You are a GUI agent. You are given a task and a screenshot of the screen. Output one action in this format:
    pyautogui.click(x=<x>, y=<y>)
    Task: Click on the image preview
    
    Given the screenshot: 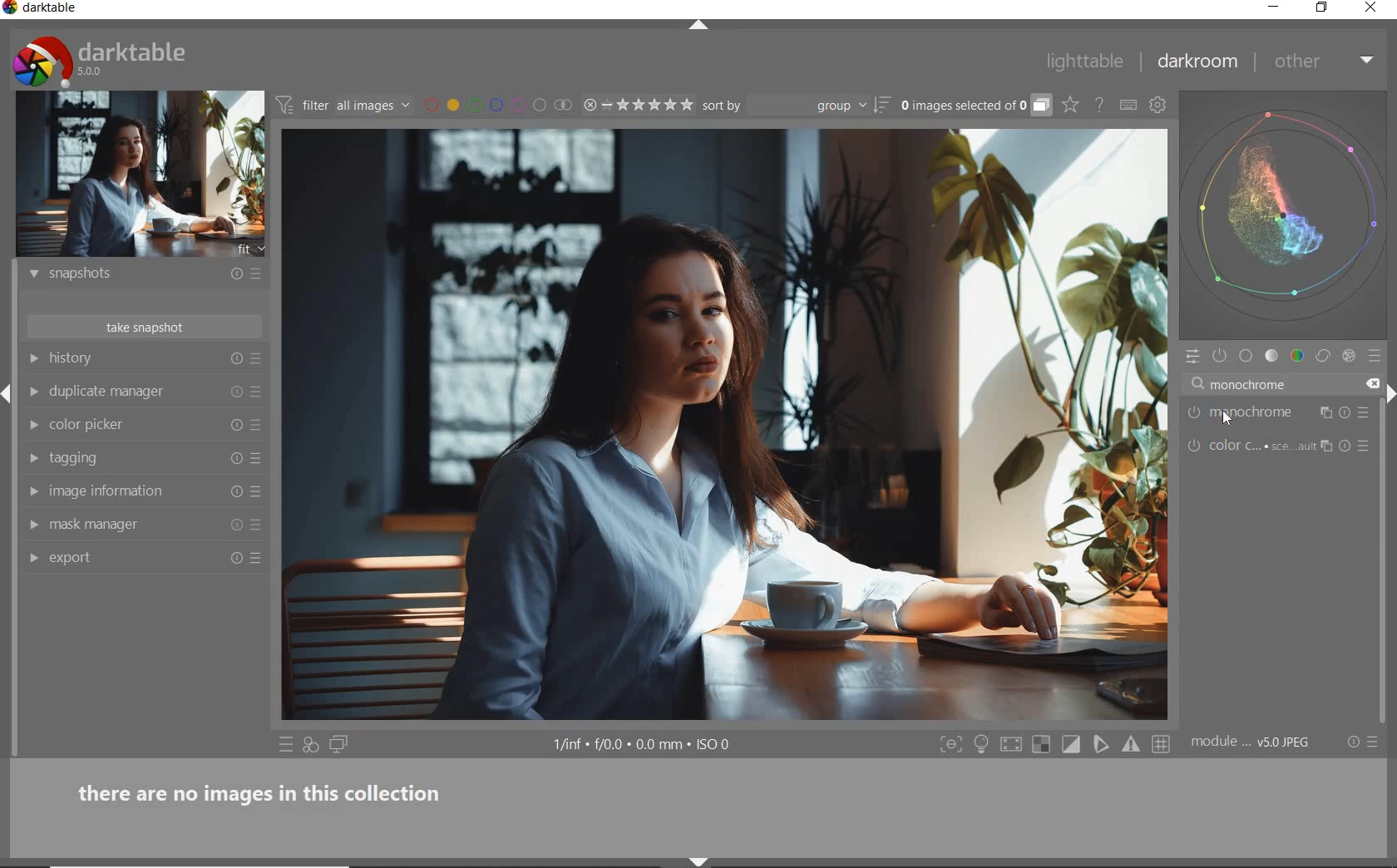 What is the action you would take?
    pyautogui.click(x=141, y=175)
    